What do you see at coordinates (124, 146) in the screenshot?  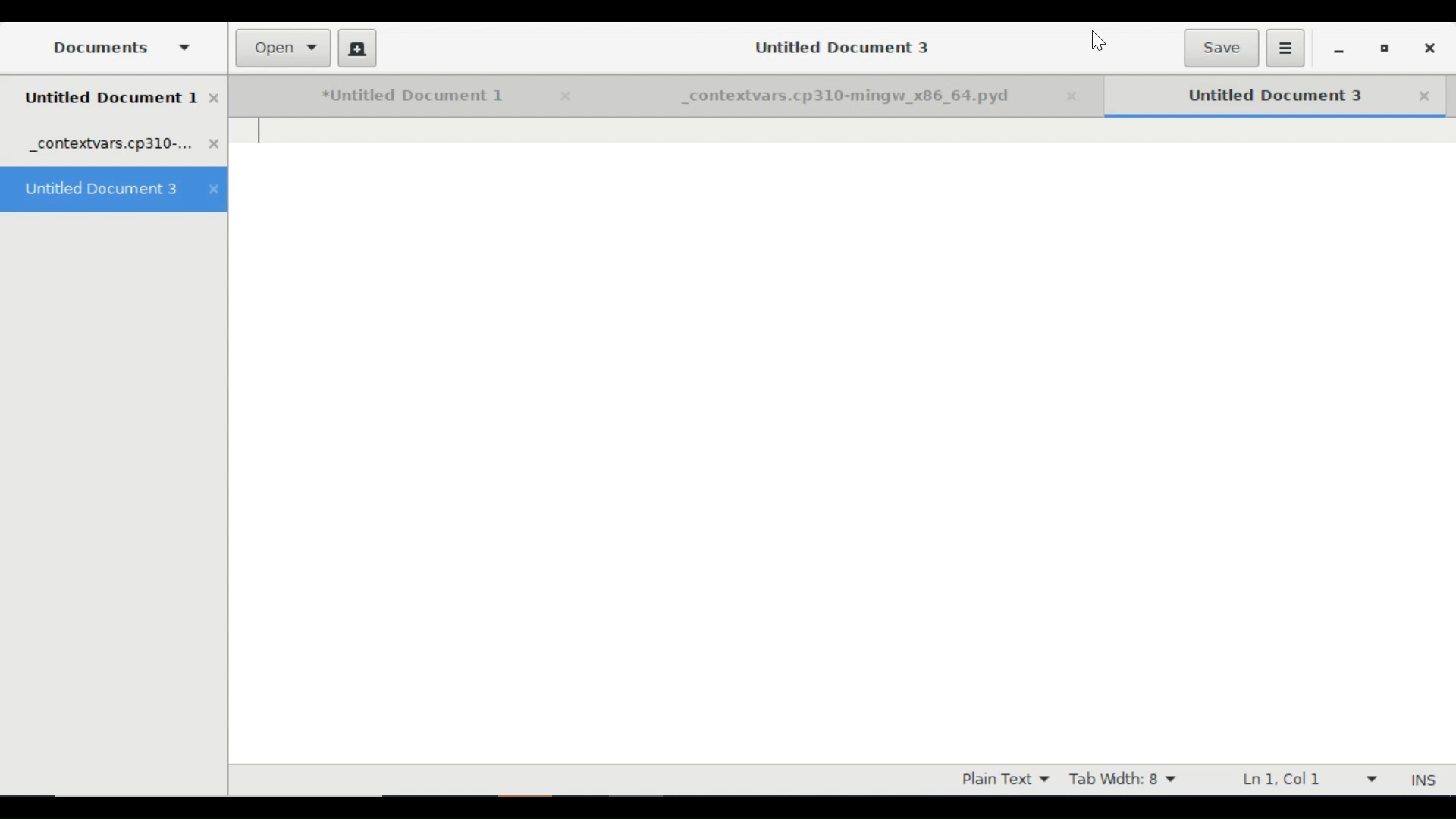 I see `_contextvars.cp310-minger_xc86_64.pyd tab` at bounding box center [124, 146].